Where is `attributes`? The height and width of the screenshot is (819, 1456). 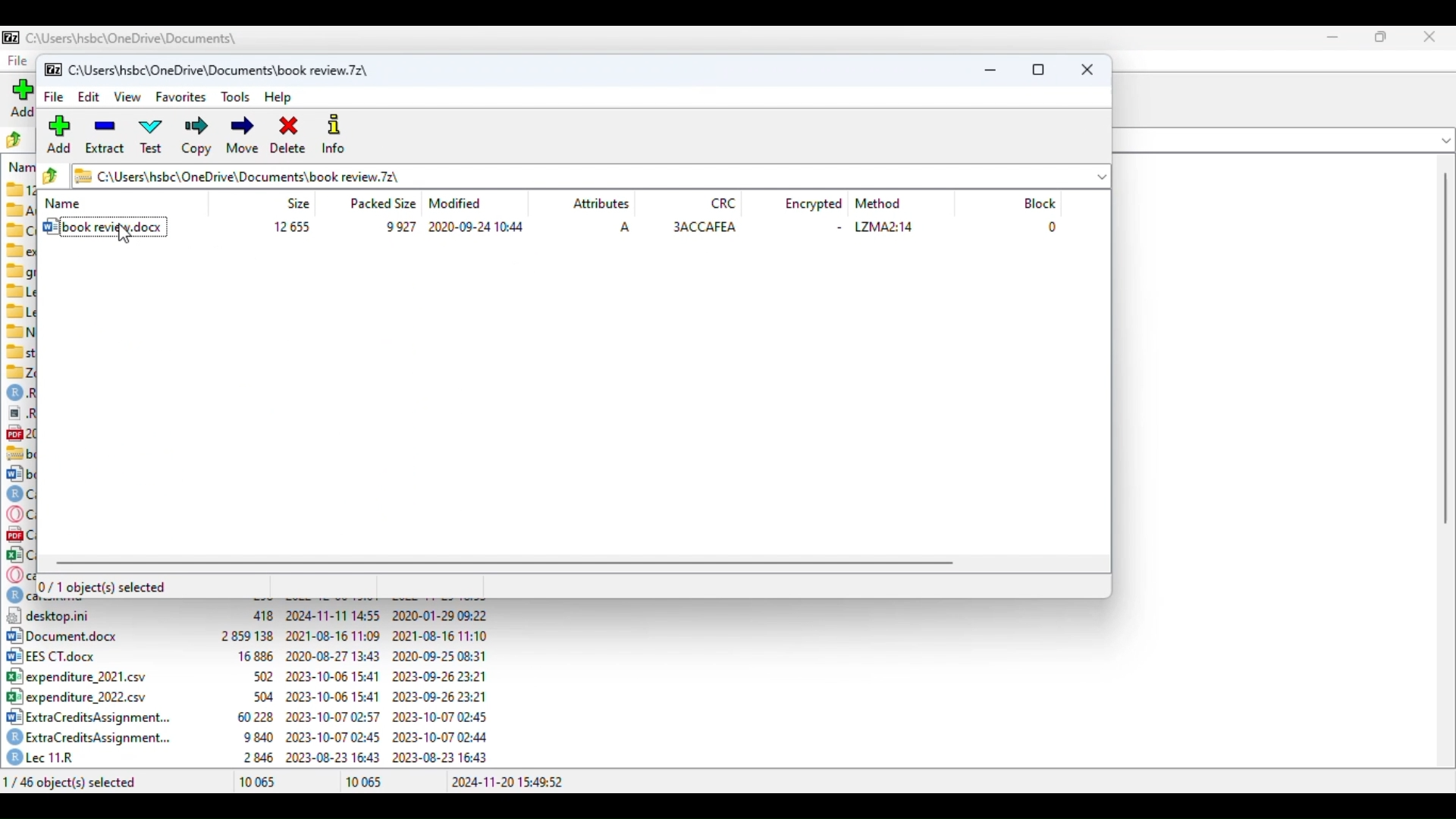
attributes is located at coordinates (601, 202).